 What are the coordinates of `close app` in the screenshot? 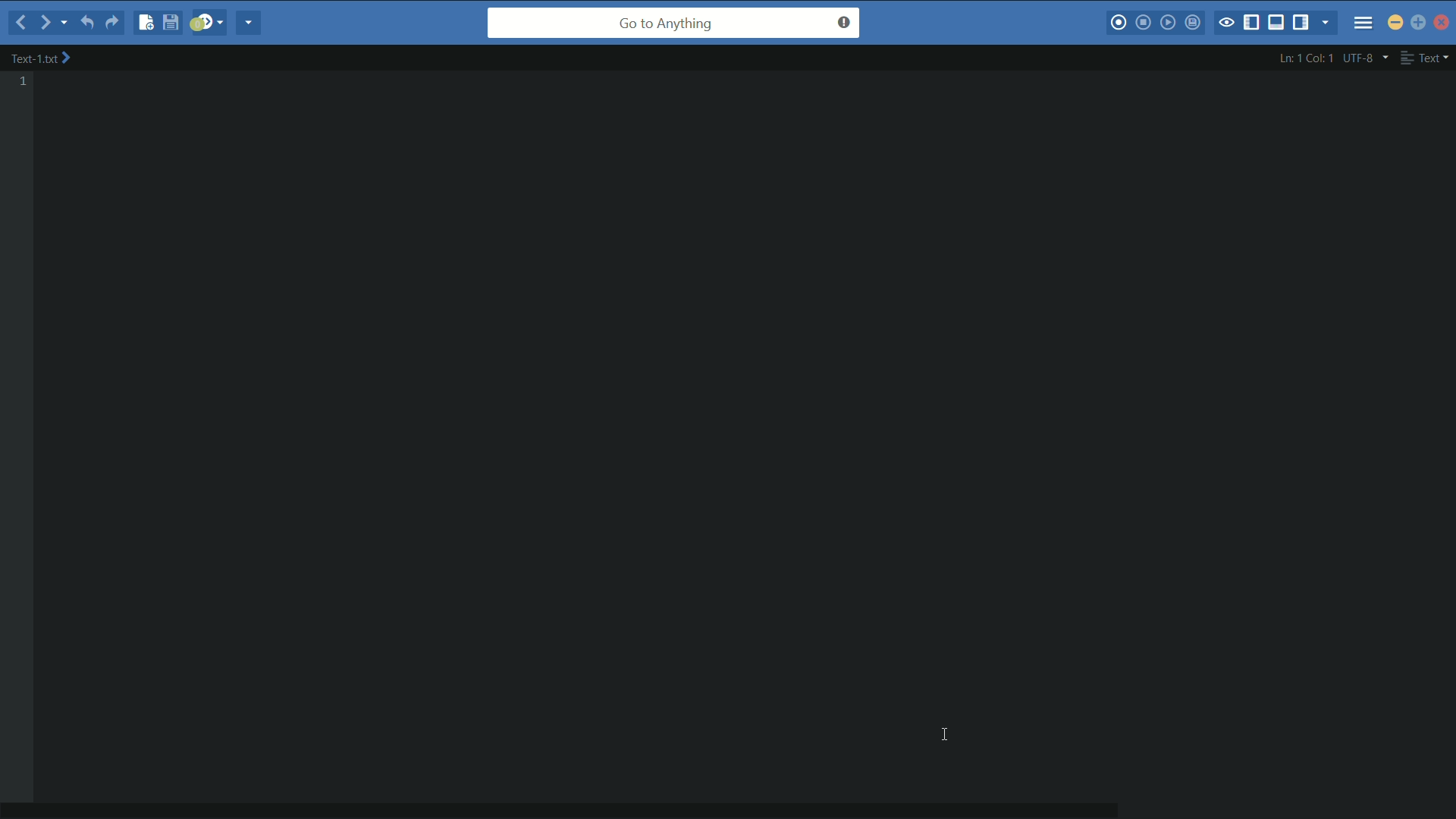 It's located at (1441, 23).